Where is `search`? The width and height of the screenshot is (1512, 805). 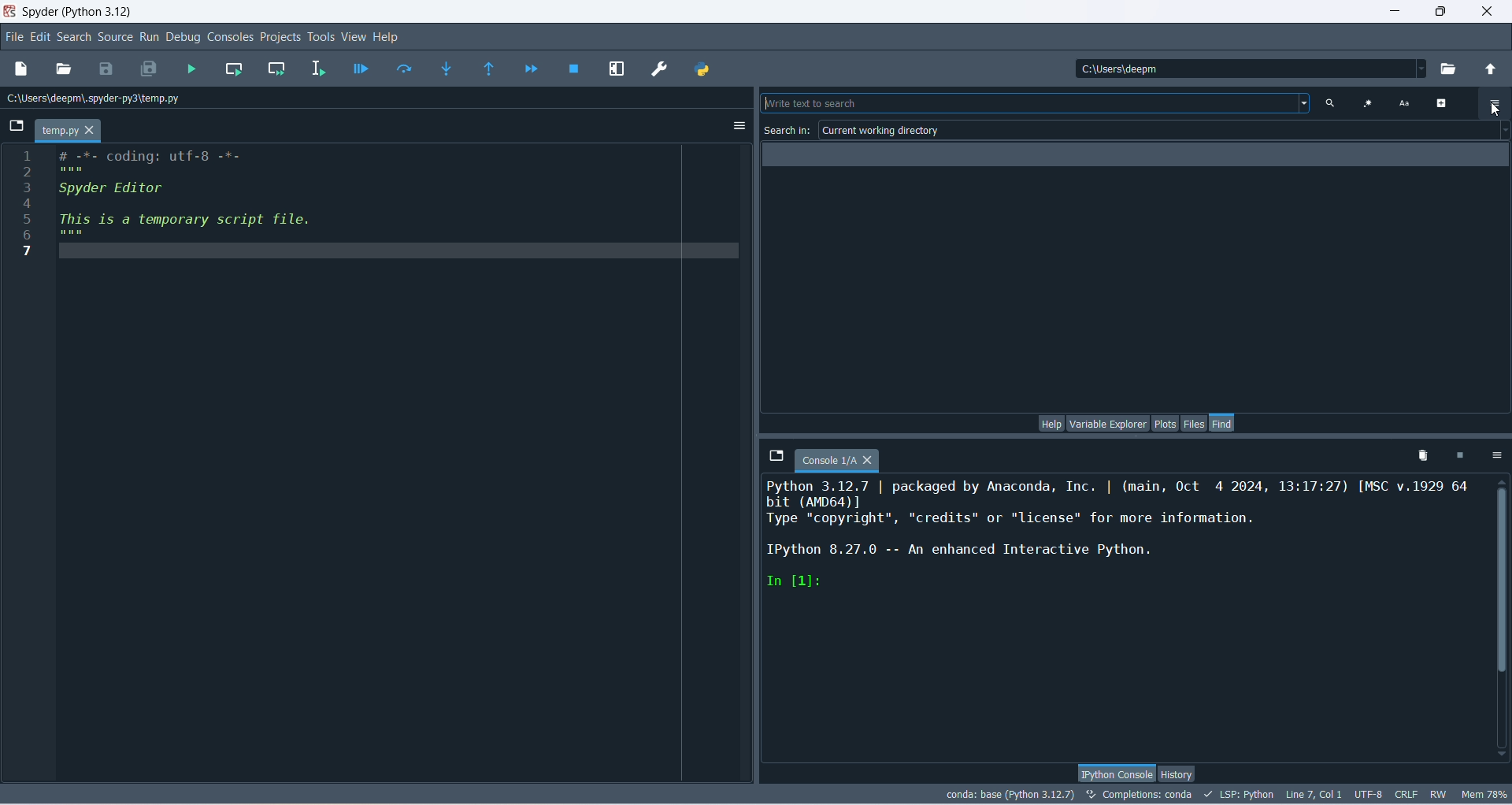 search is located at coordinates (1031, 102).